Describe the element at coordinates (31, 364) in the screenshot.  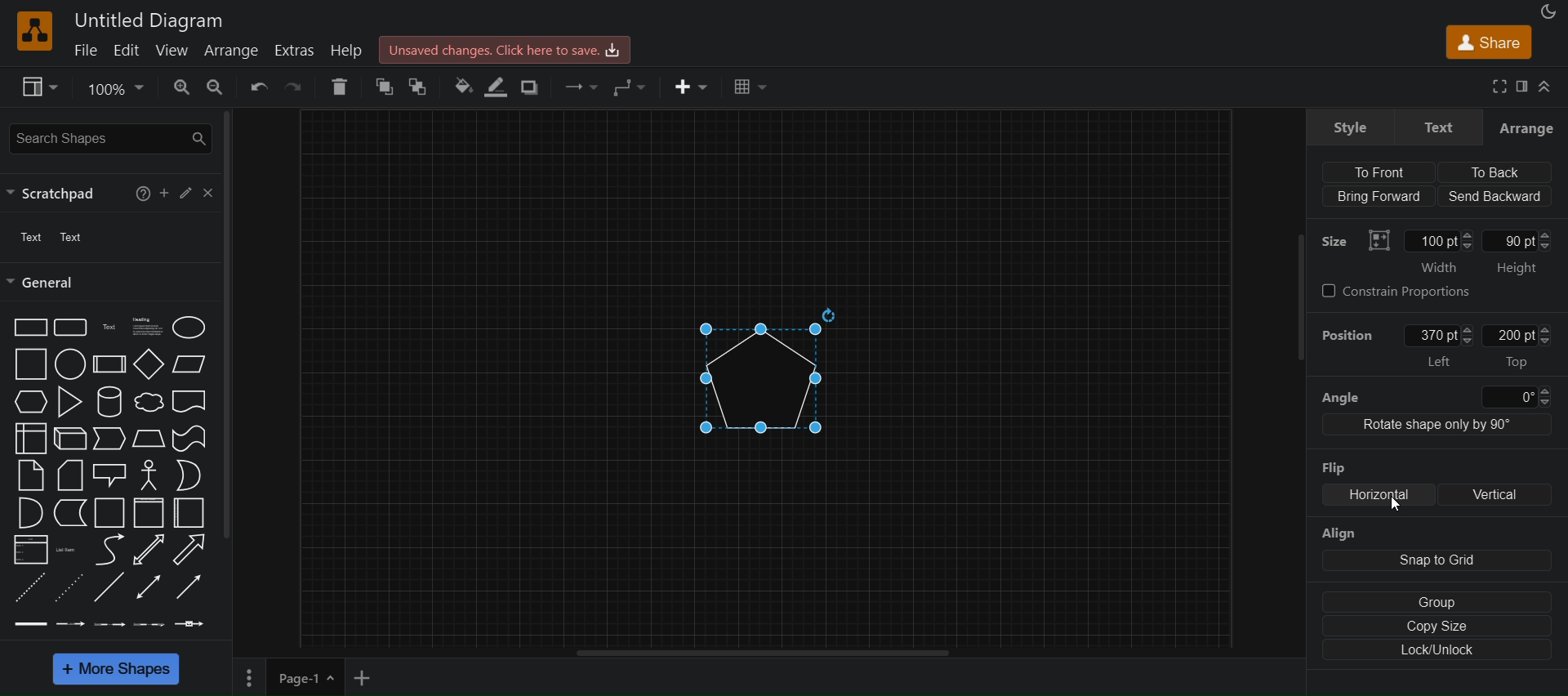
I see `Sqaure` at that location.